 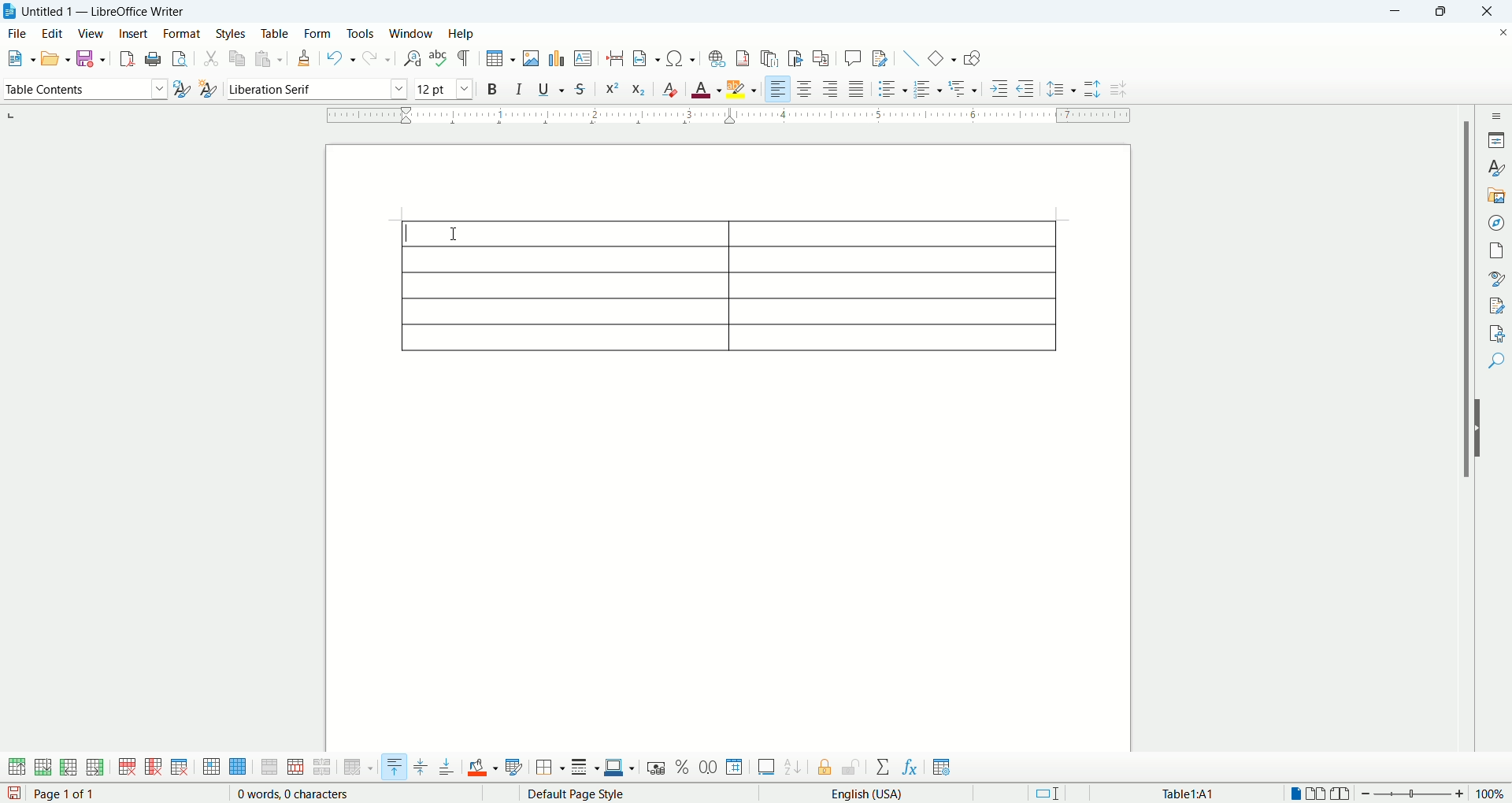 What do you see at coordinates (1496, 250) in the screenshot?
I see `page` at bounding box center [1496, 250].